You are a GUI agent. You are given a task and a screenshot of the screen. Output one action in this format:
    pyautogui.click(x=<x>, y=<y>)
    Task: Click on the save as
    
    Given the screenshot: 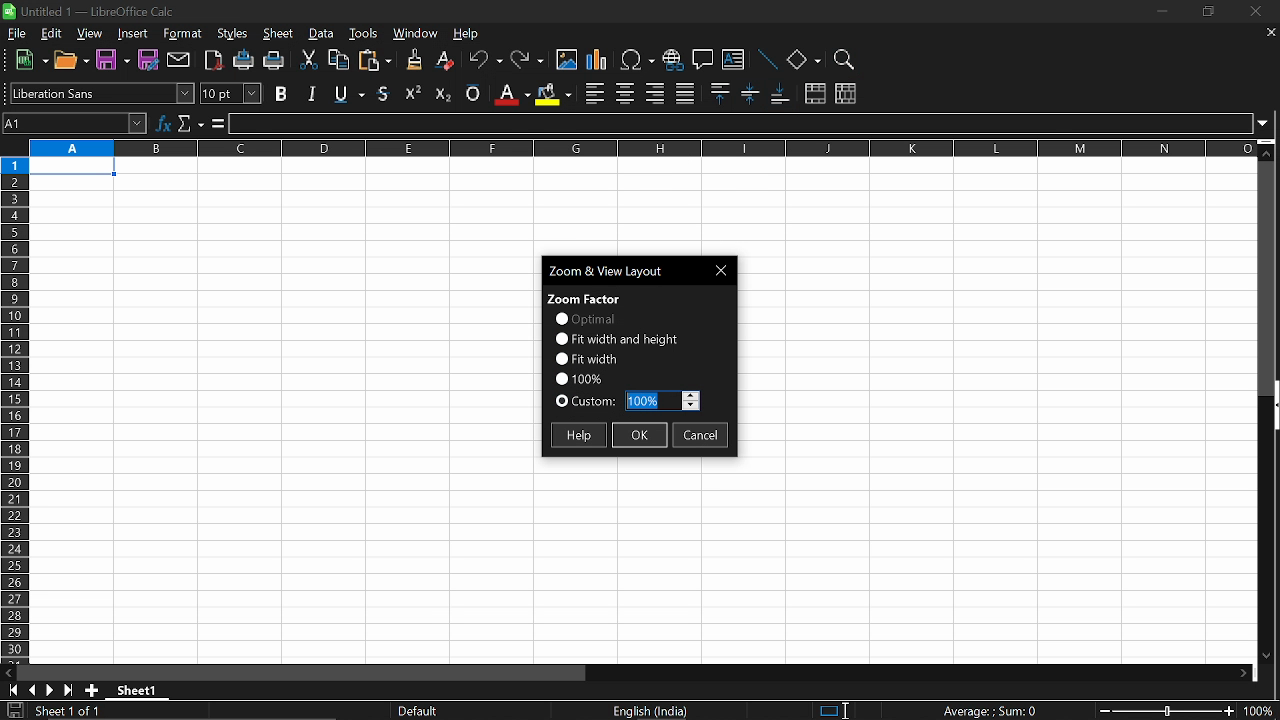 What is the action you would take?
    pyautogui.click(x=149, y=60)
    